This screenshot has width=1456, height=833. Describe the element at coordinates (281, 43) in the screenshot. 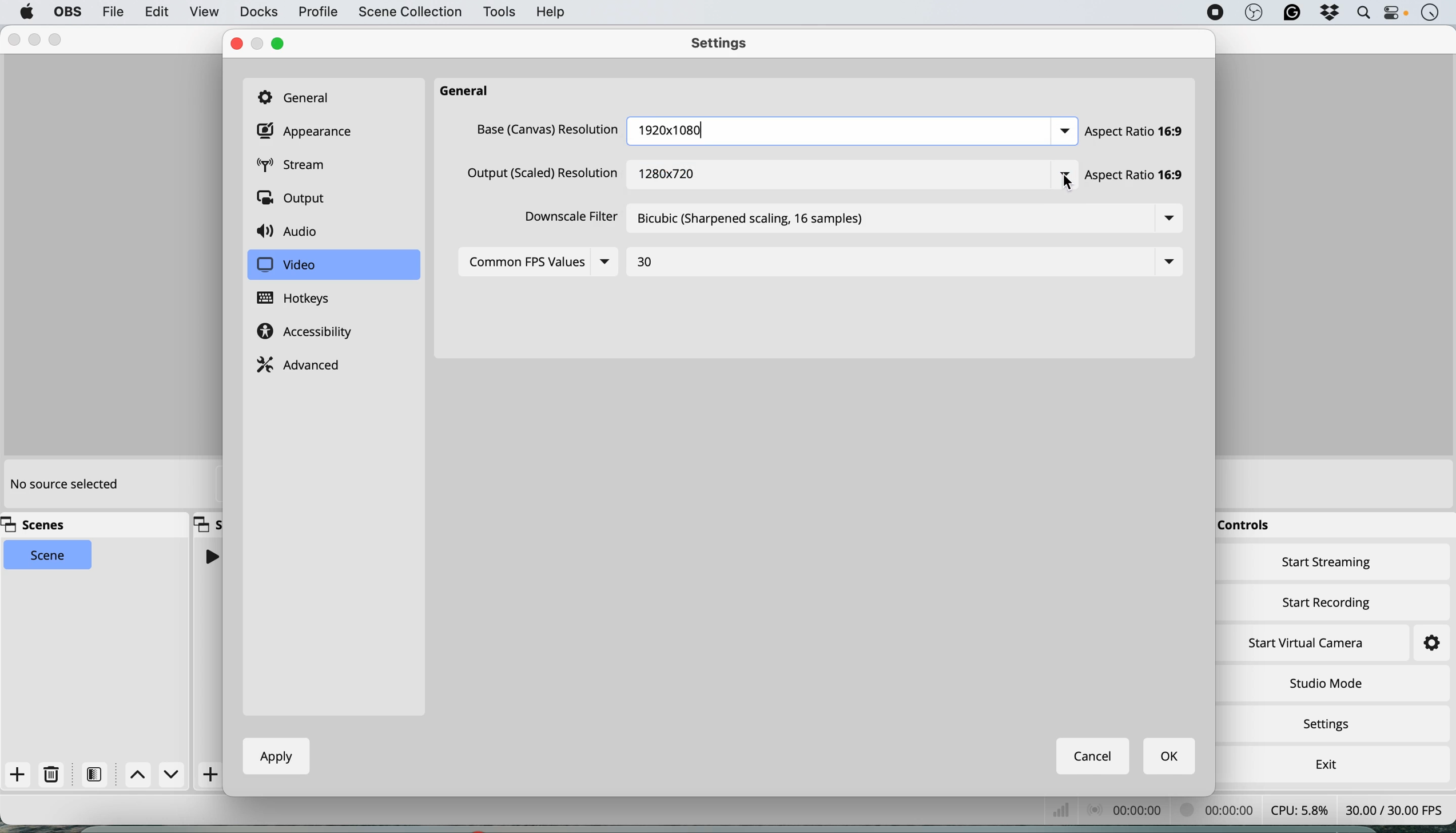

I see `maximise` at that location.